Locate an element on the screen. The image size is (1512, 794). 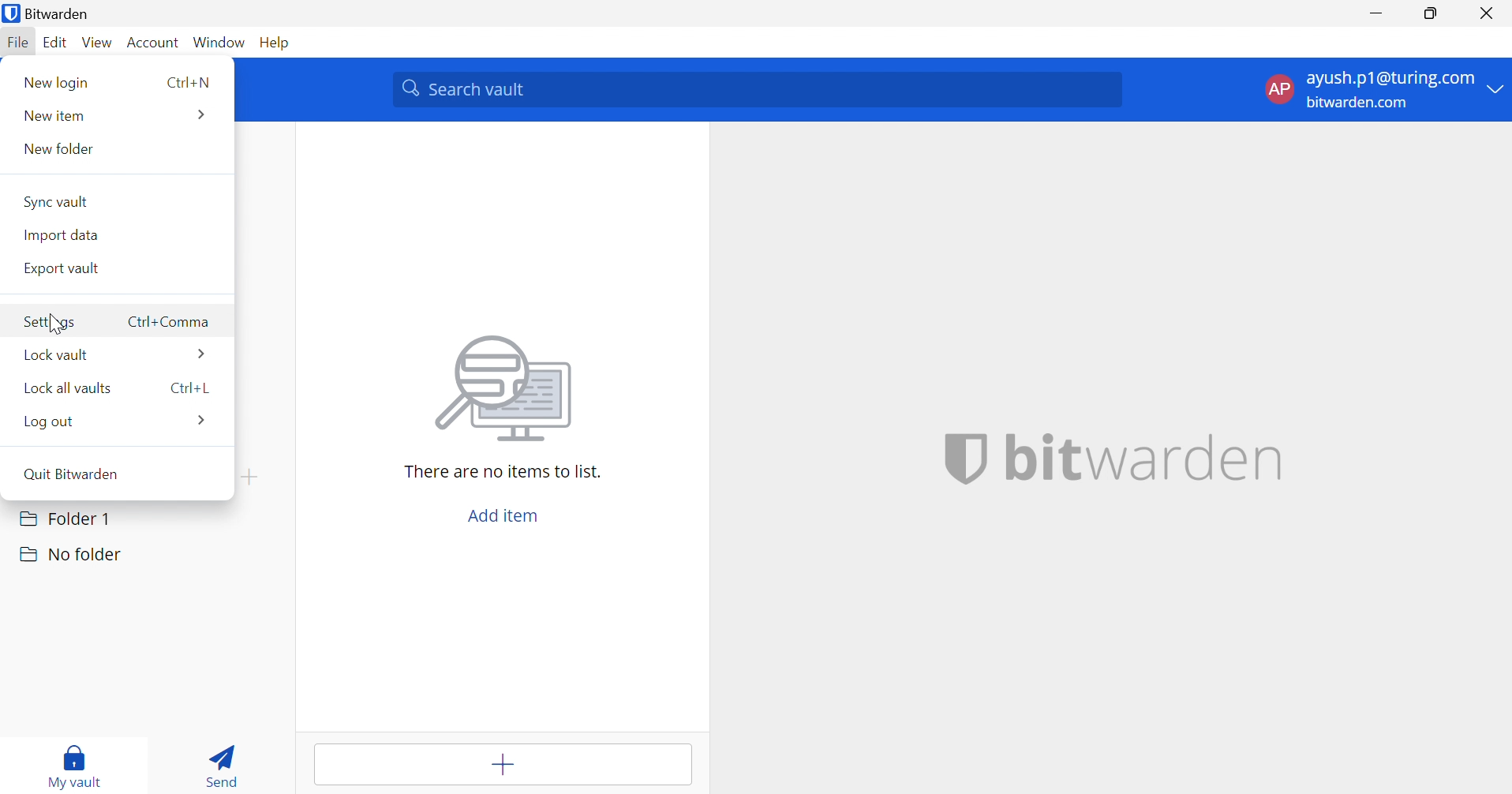
New item is located at coordinates (58, 114).